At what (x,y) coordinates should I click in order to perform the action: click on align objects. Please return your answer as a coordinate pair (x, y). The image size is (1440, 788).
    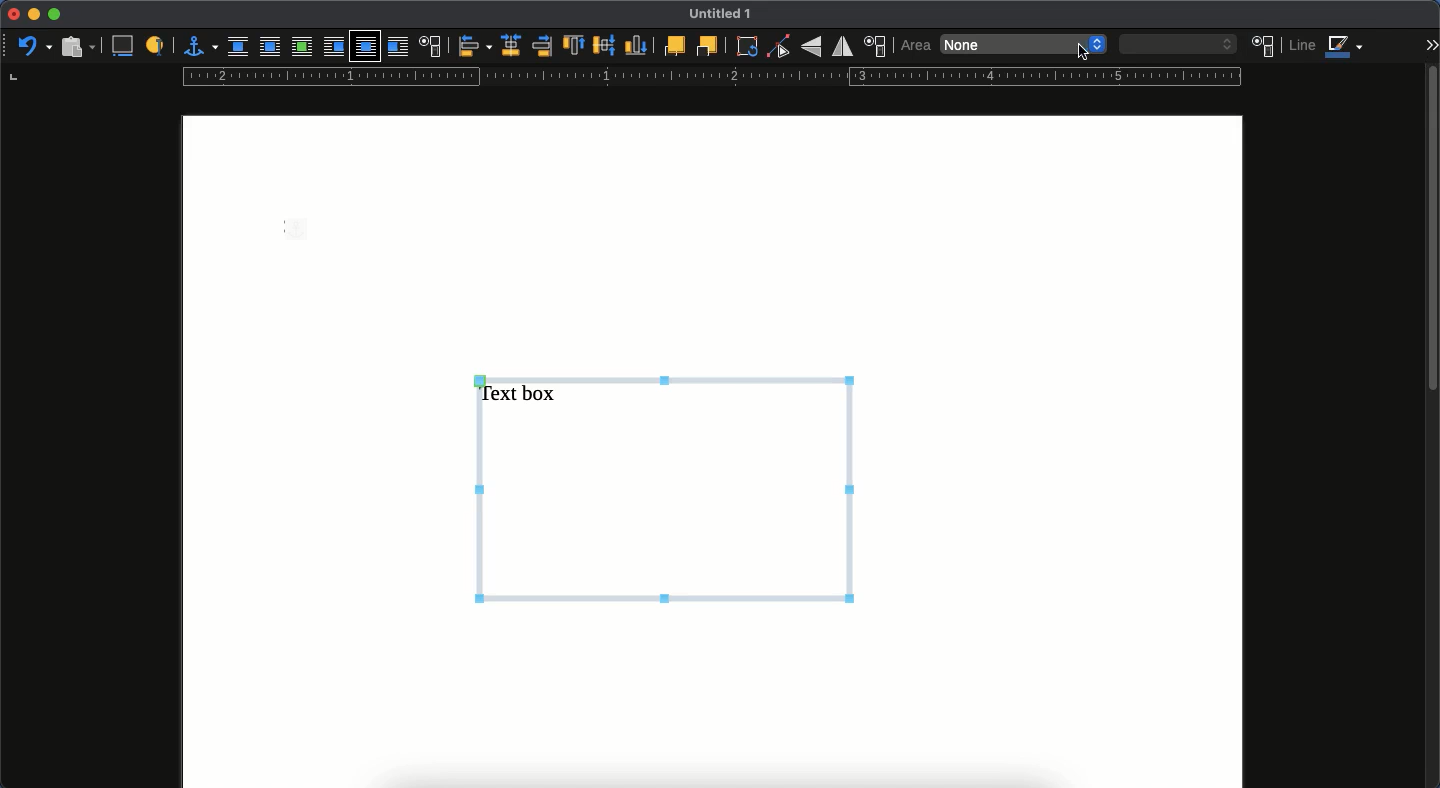
    Looking at the image, I should click on (474, 47).